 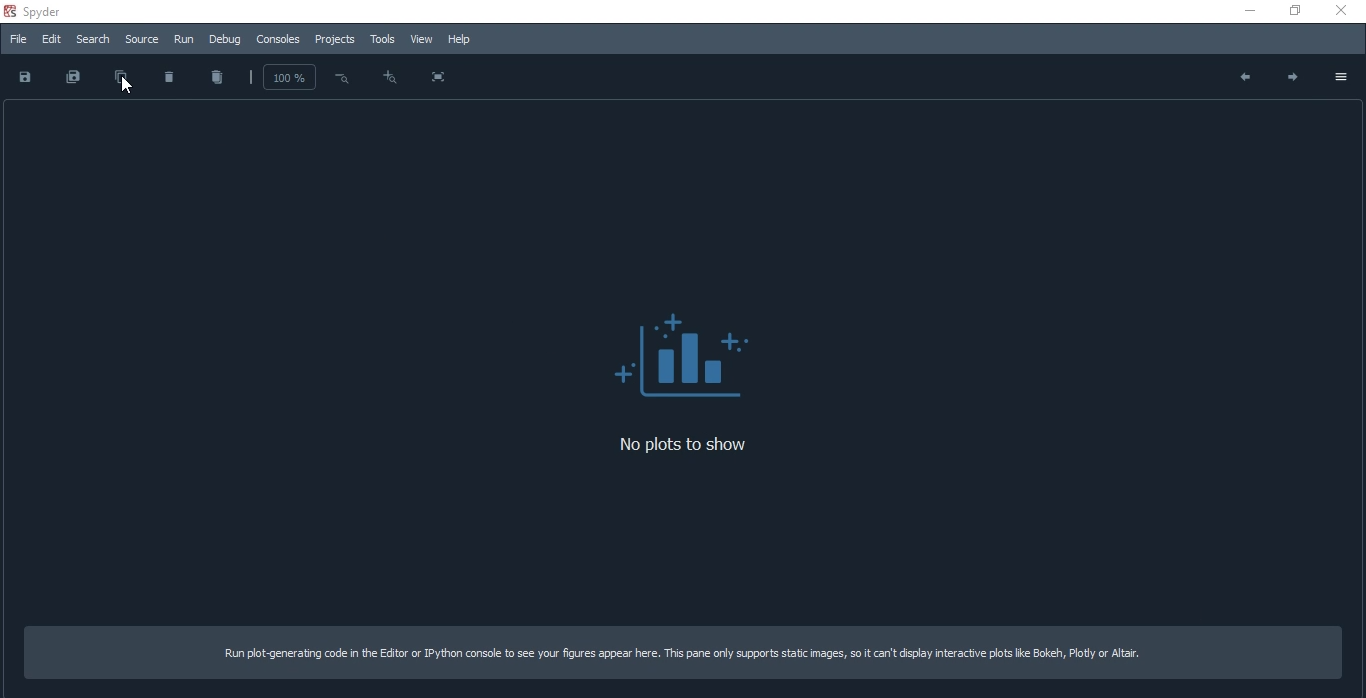 I want to click on Edit, so click(x=50, y=37).